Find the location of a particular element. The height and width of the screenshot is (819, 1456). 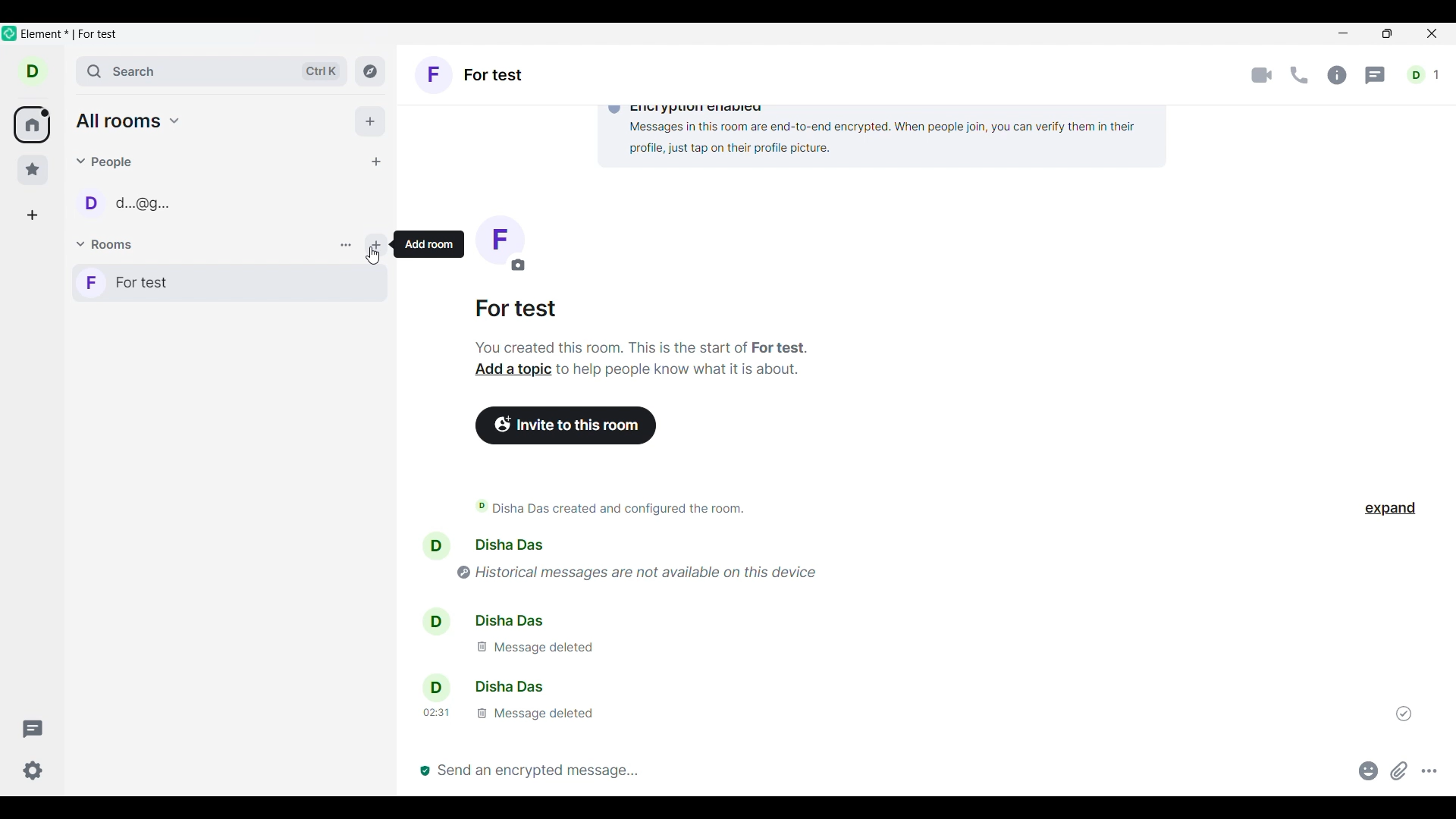

Room info is located at coordinates (1338, 75).